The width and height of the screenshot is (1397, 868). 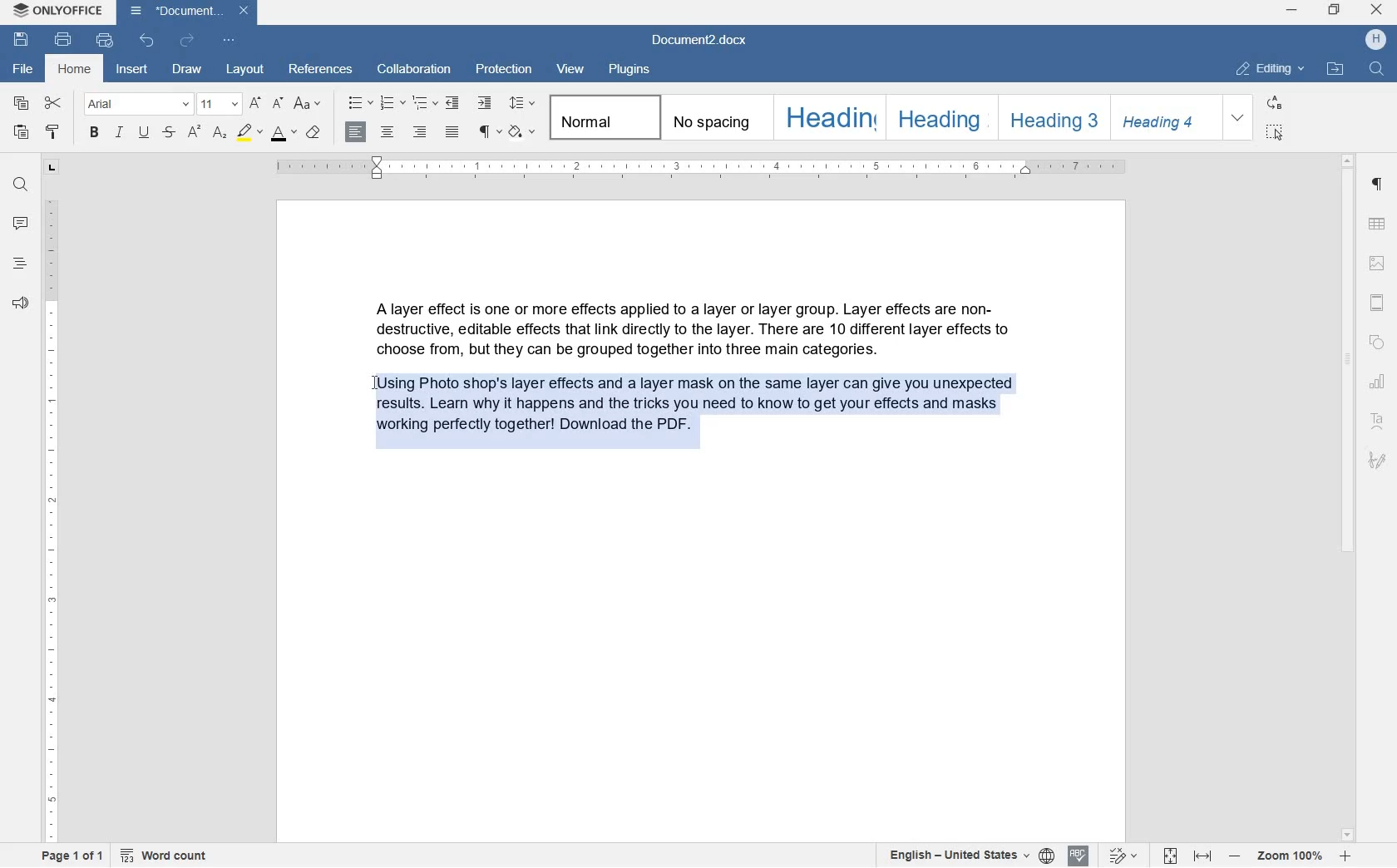 I want to click on TRACK CHANGES, so click(x=1123, y=856).